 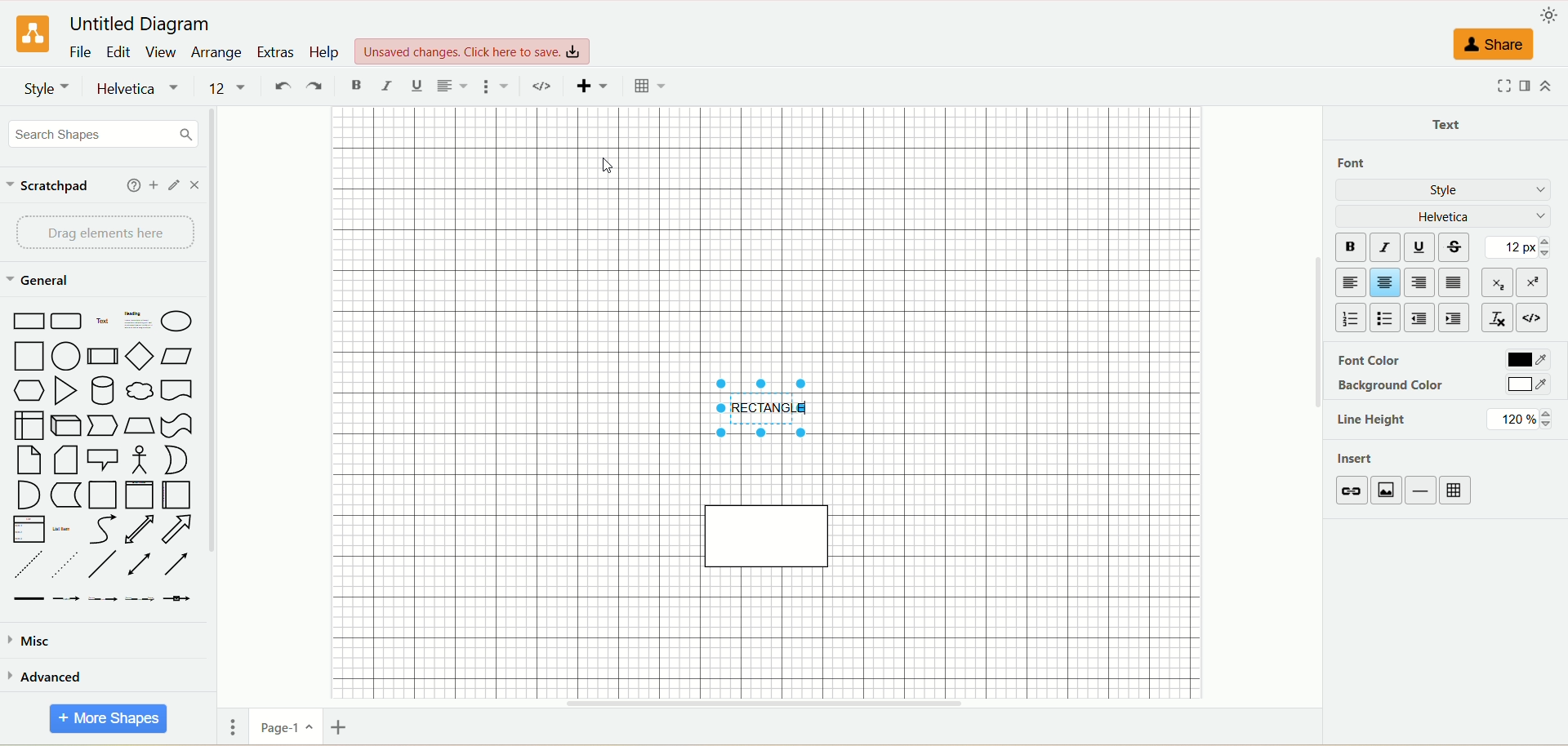 I want to click on parallelogram, so click(x=174, y=356).